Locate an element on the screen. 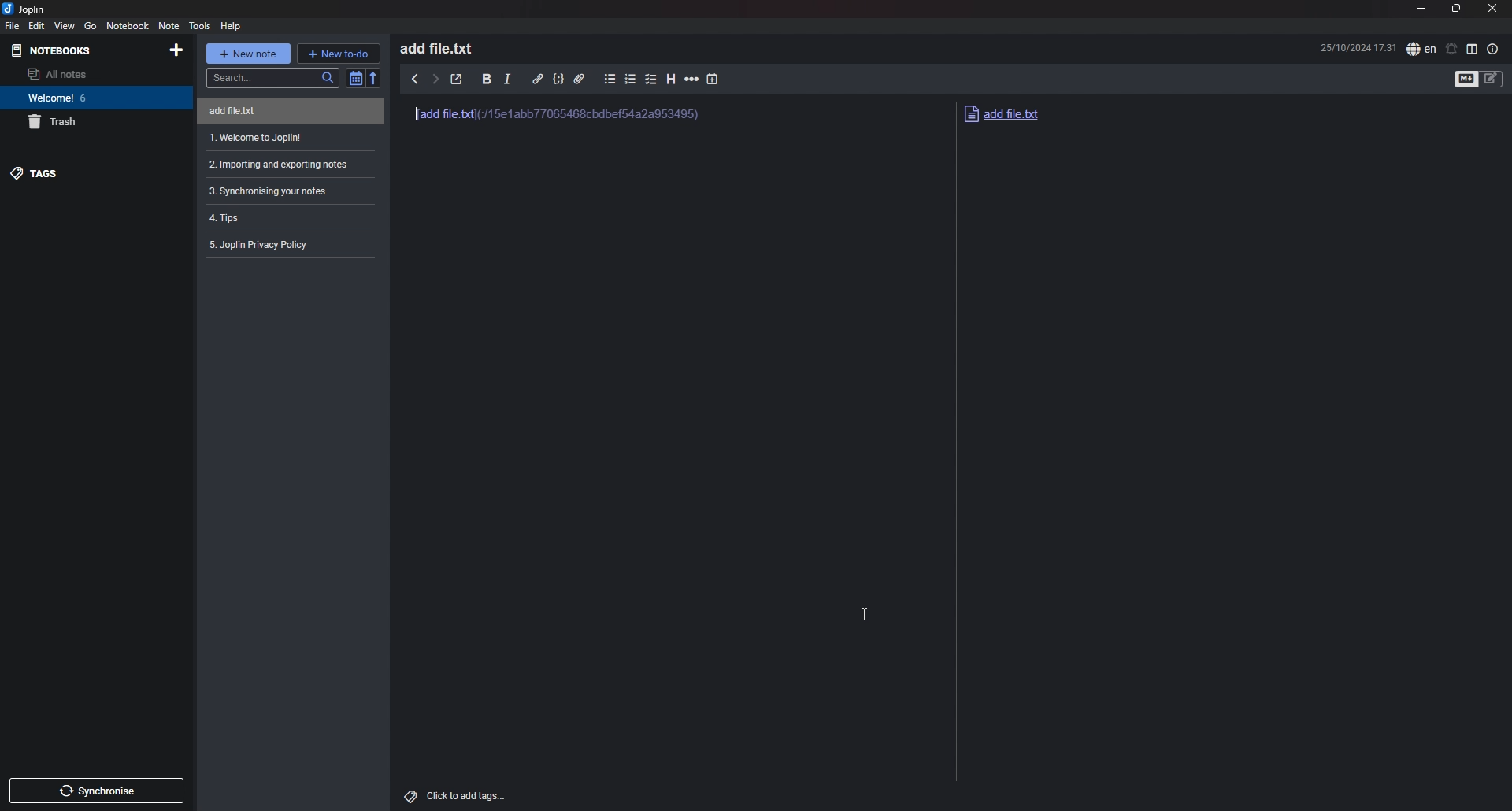  1.Welcome to Joplin is located at coordinates (287, 138).